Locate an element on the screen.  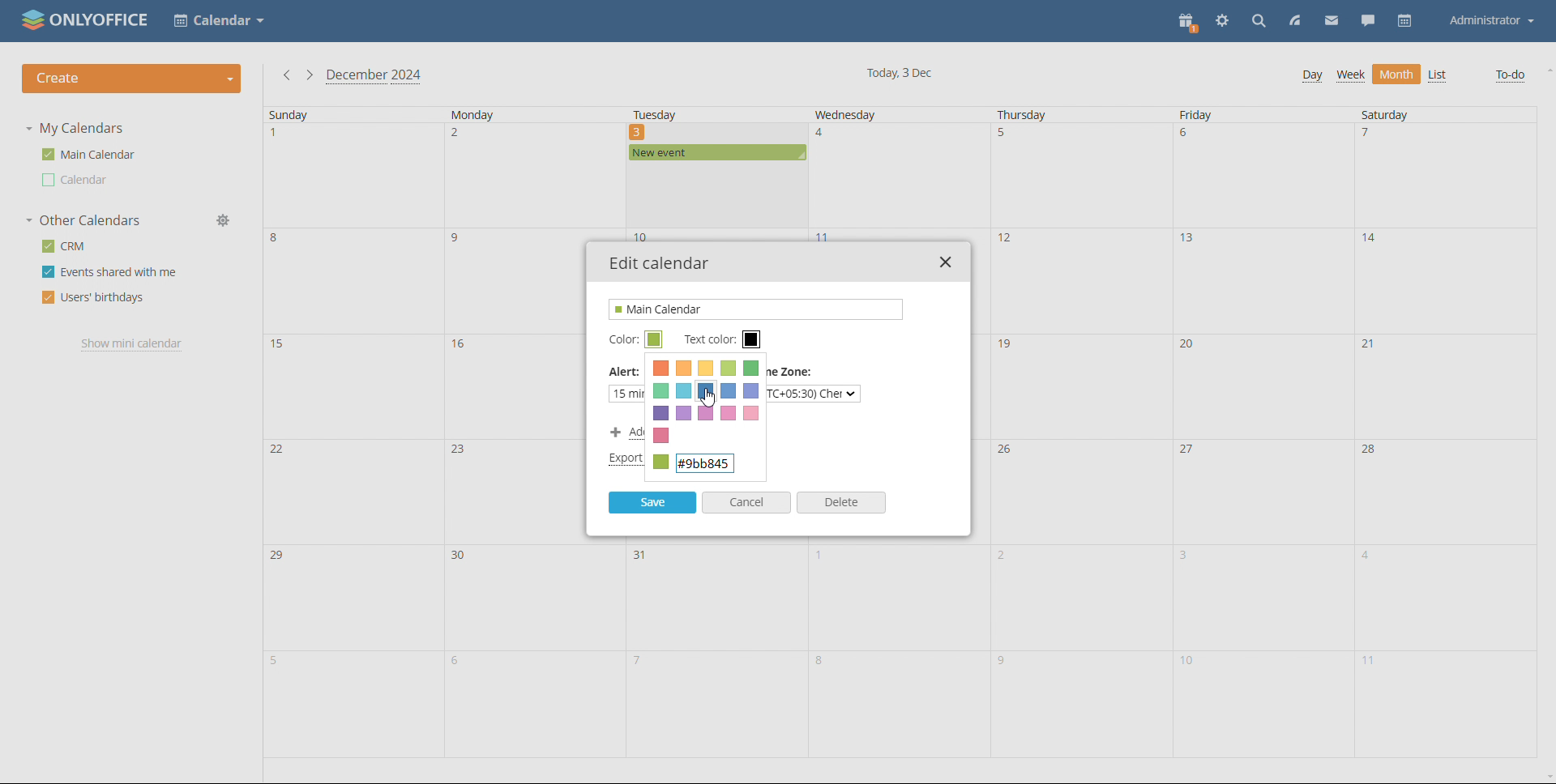
date is located at coordinates (1080, 280).